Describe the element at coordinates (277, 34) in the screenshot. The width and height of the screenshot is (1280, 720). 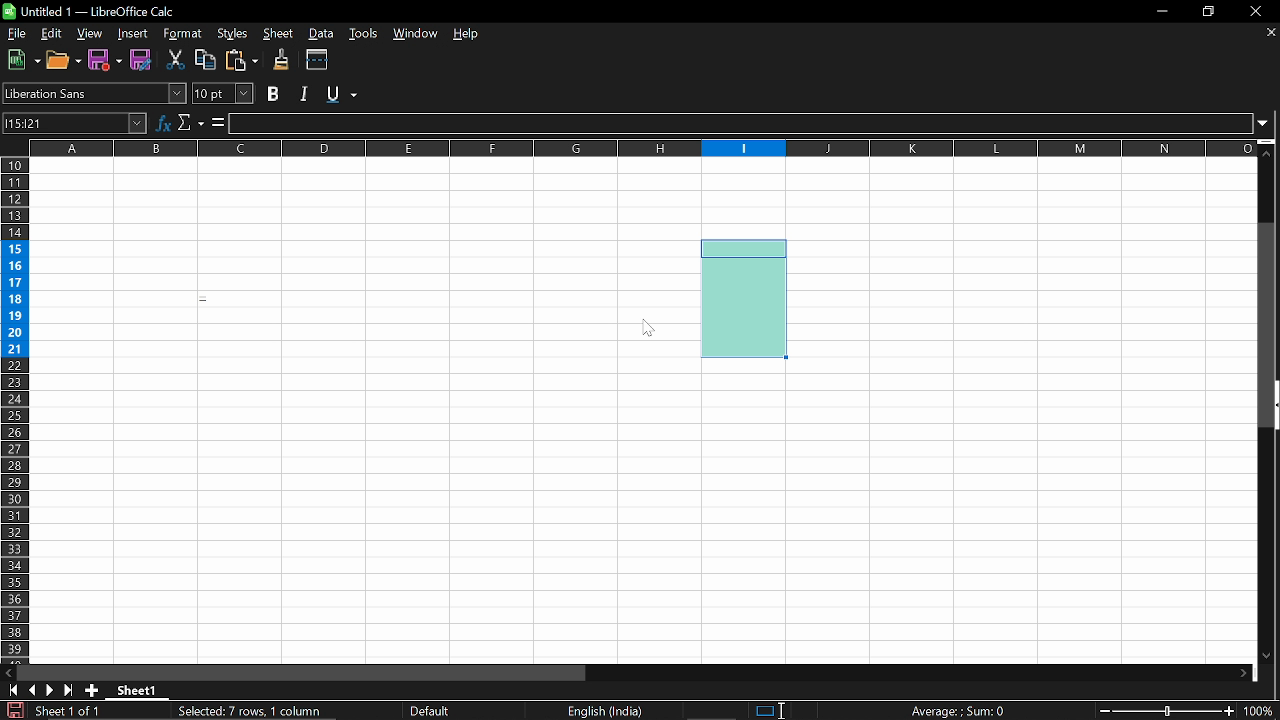
I see `Sheet` at that location.